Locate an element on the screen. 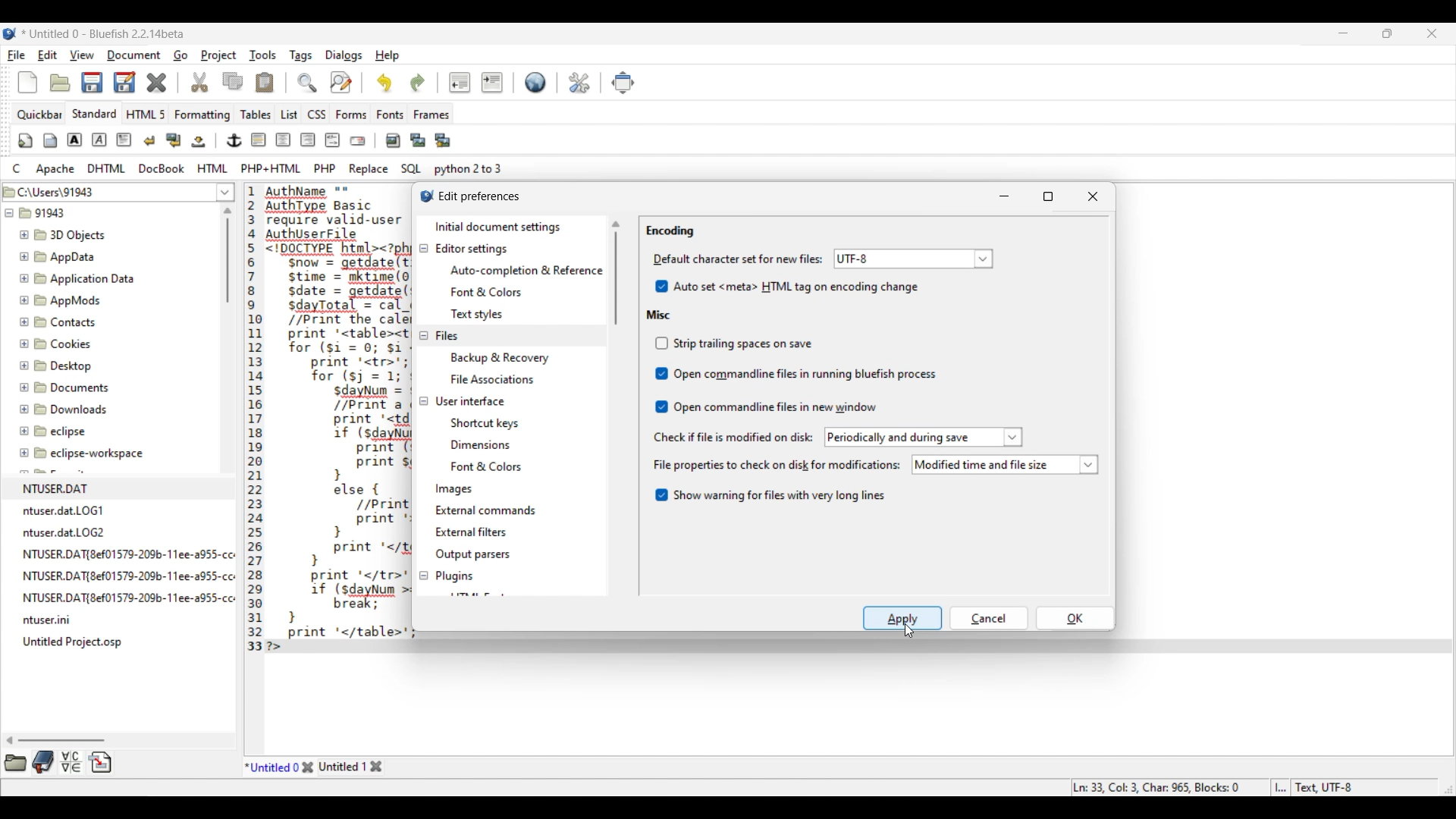 The height and width of the screenshot is (819, 1456). Open is located at coordinates (60, 83).